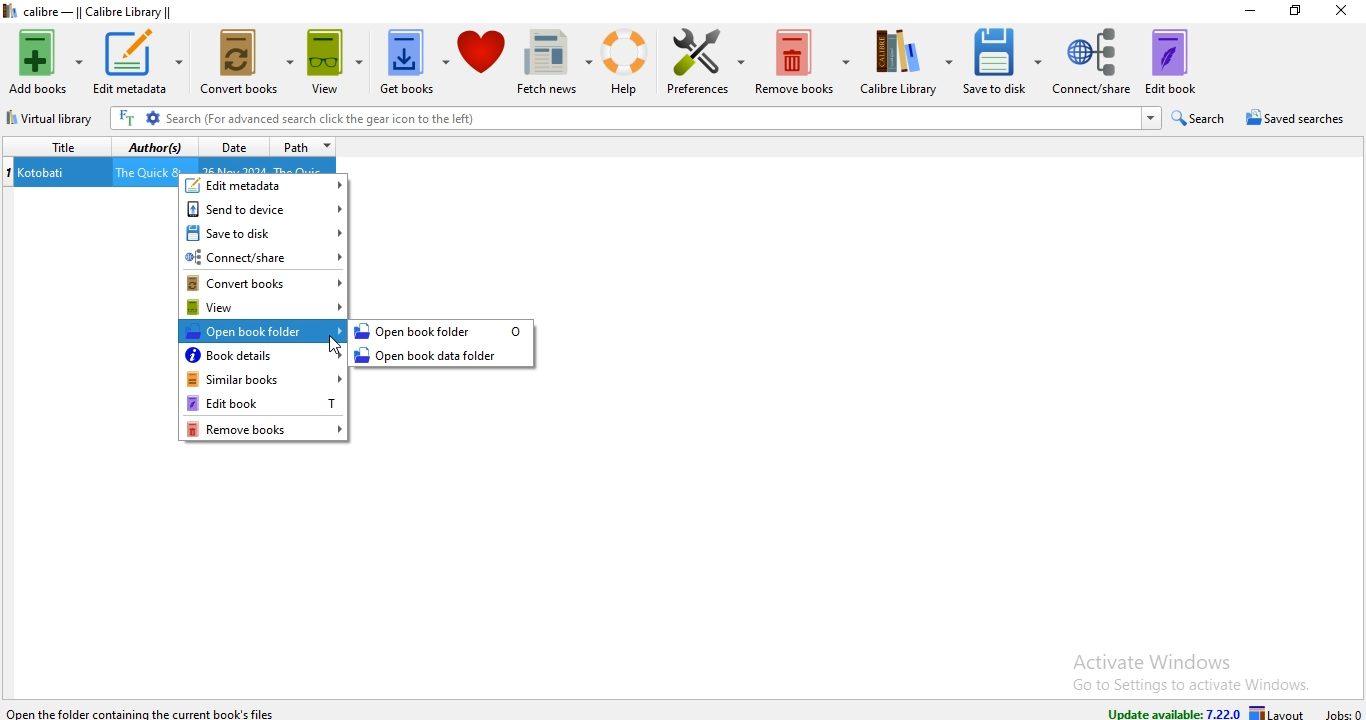 The height and width of the screenshot is (720, 1366). Describe the element at coordinates (1292, 10) in the screenshot. I see `restore` at that location.